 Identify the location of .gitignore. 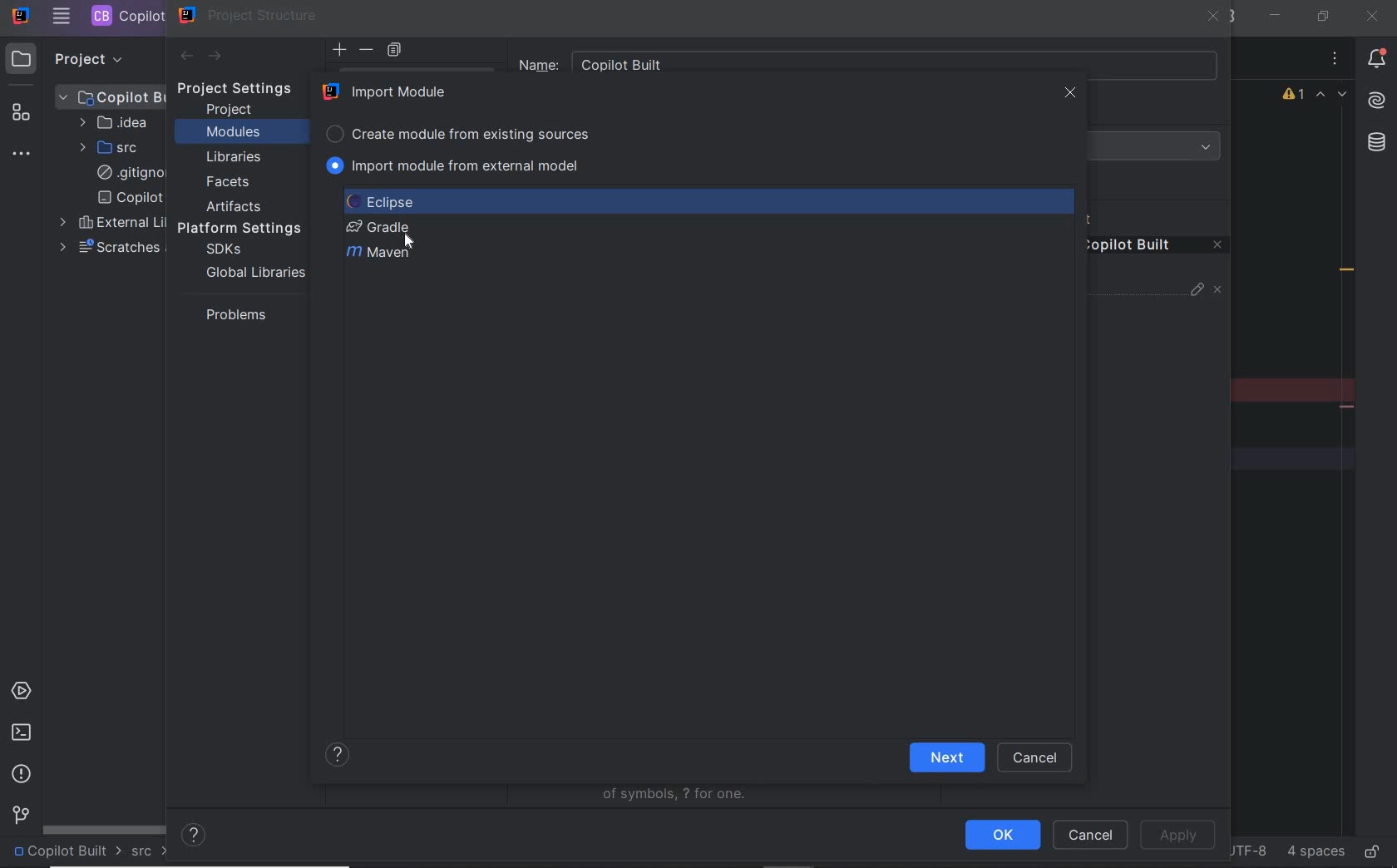
(127, 174).